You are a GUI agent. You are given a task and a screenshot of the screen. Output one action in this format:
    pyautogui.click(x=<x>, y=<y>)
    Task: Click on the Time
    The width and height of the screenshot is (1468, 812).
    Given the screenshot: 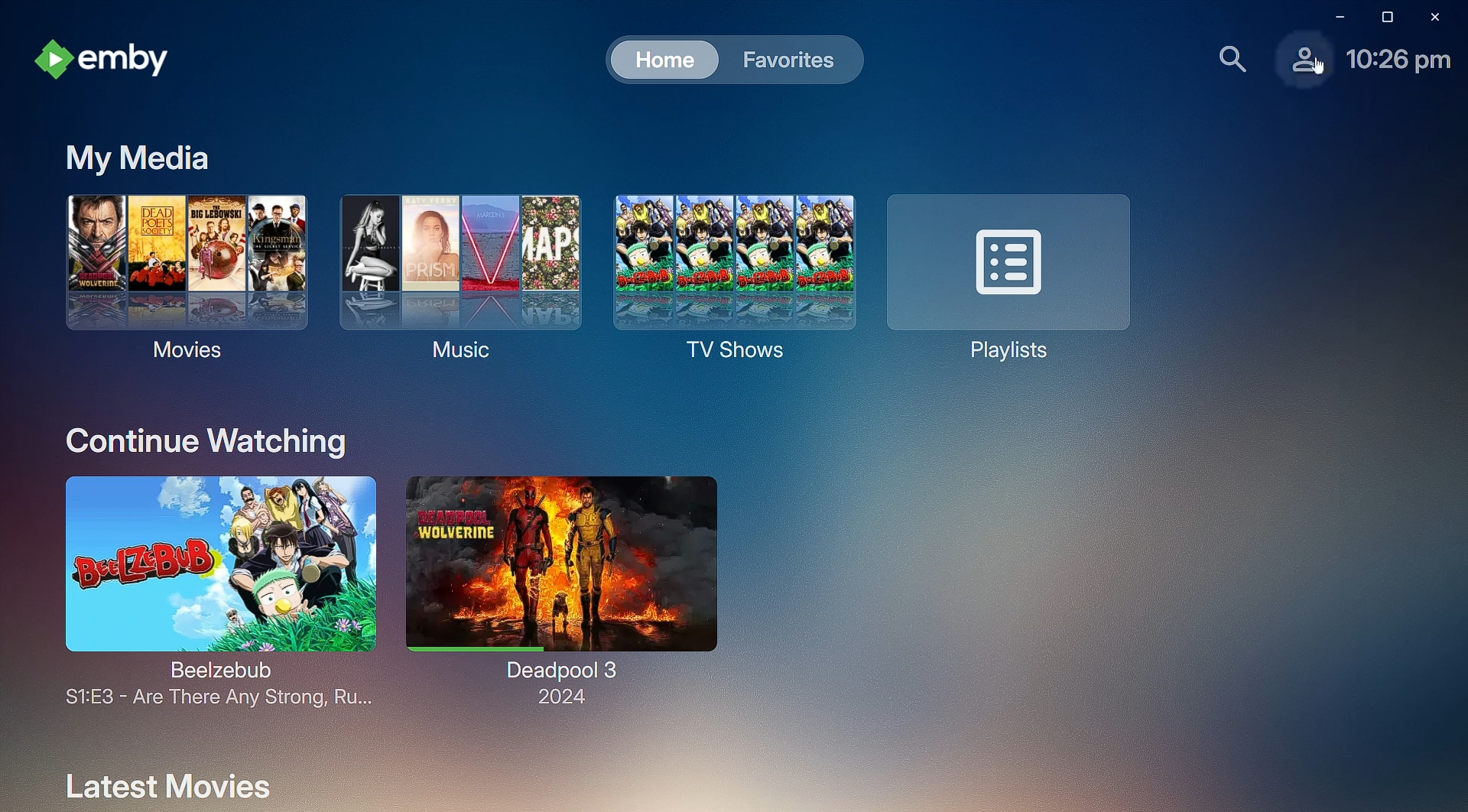 What is the action you would take?
    pyautogui.click(x=1400, y=61)
    